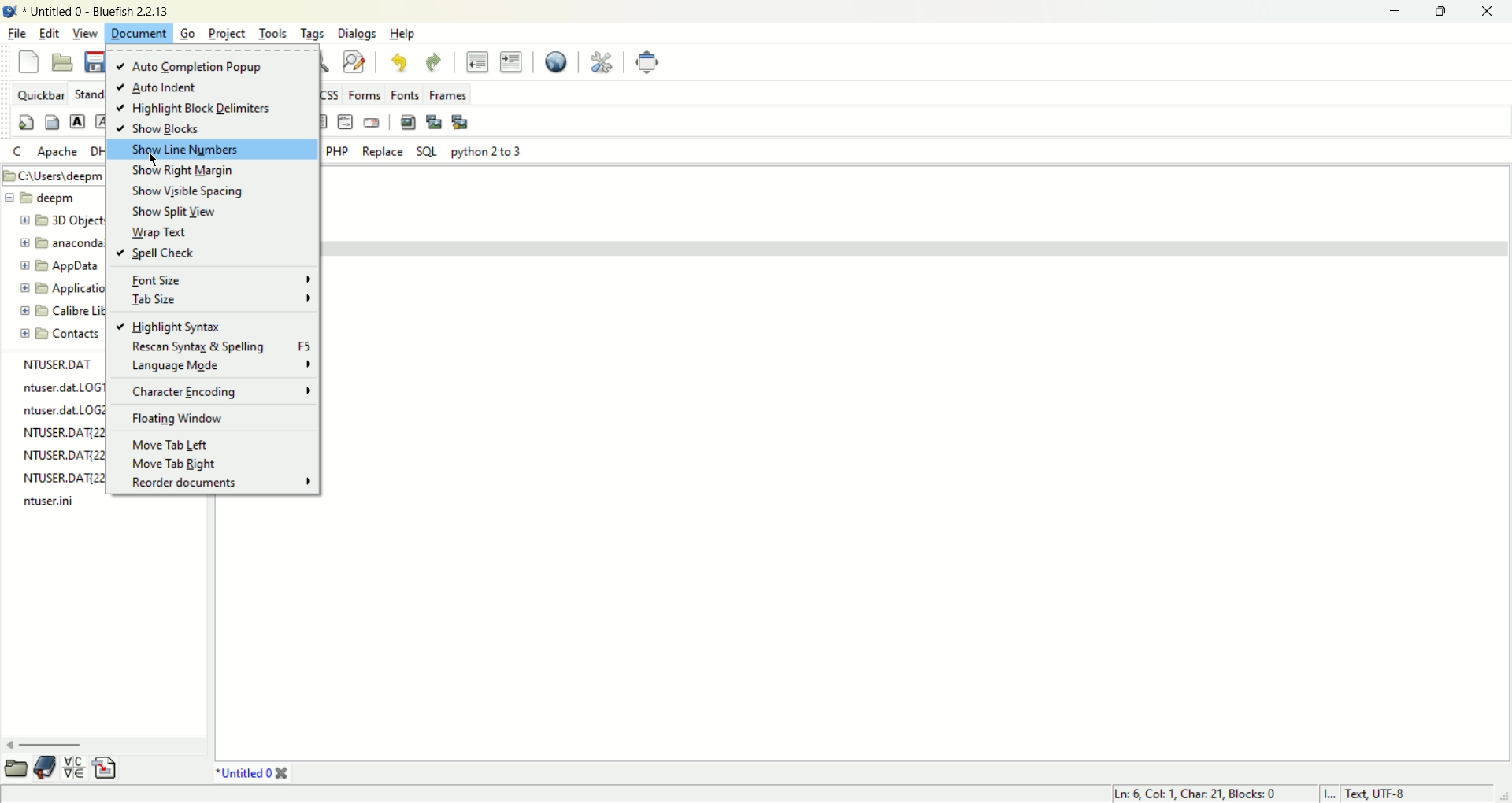 This screenshot has width=1512, height=803. I want to click on ntuser.dat.LOG', so click(61, 385).